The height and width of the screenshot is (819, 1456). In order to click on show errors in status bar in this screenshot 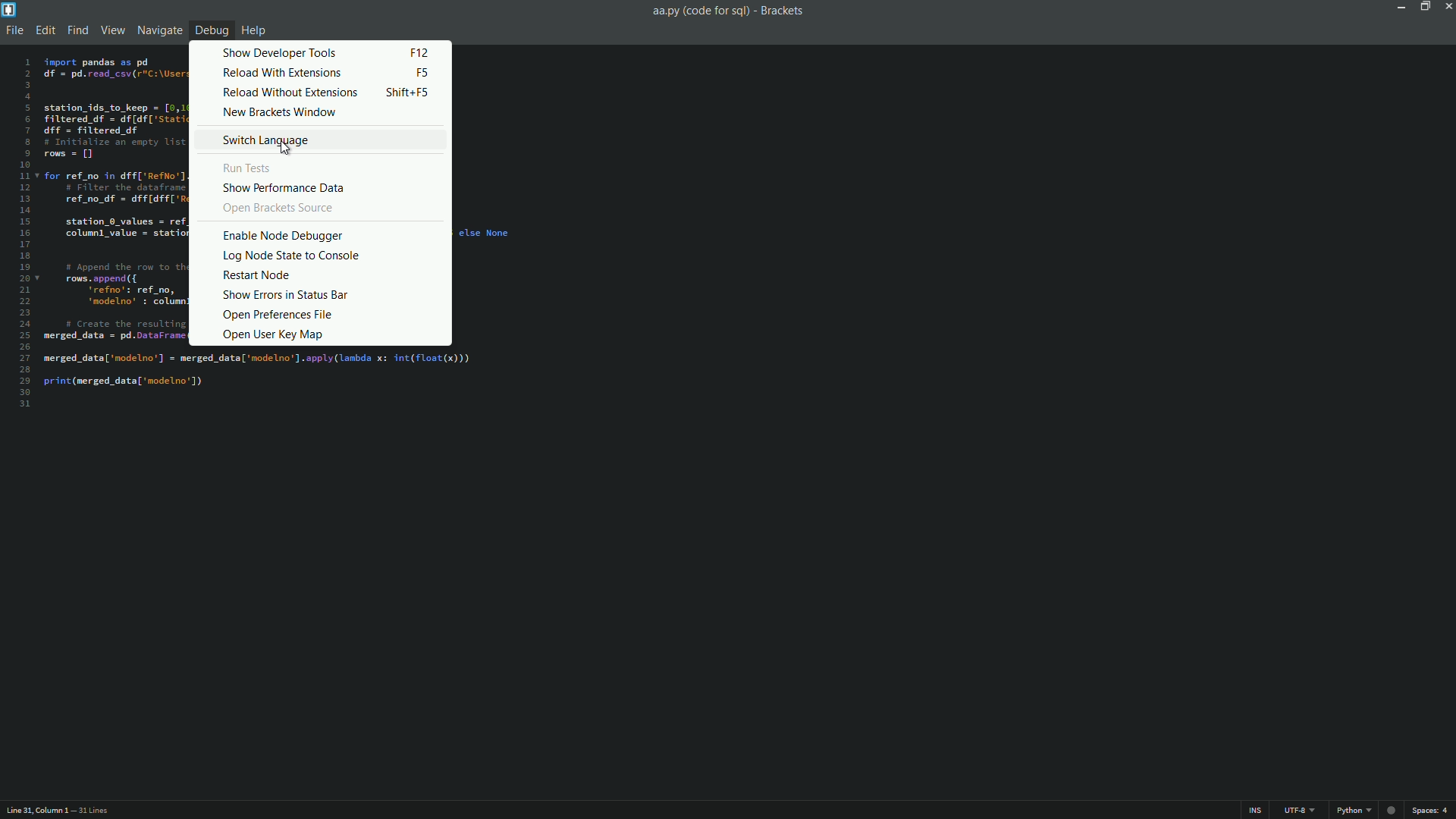, I will do `click(284, 295)`.